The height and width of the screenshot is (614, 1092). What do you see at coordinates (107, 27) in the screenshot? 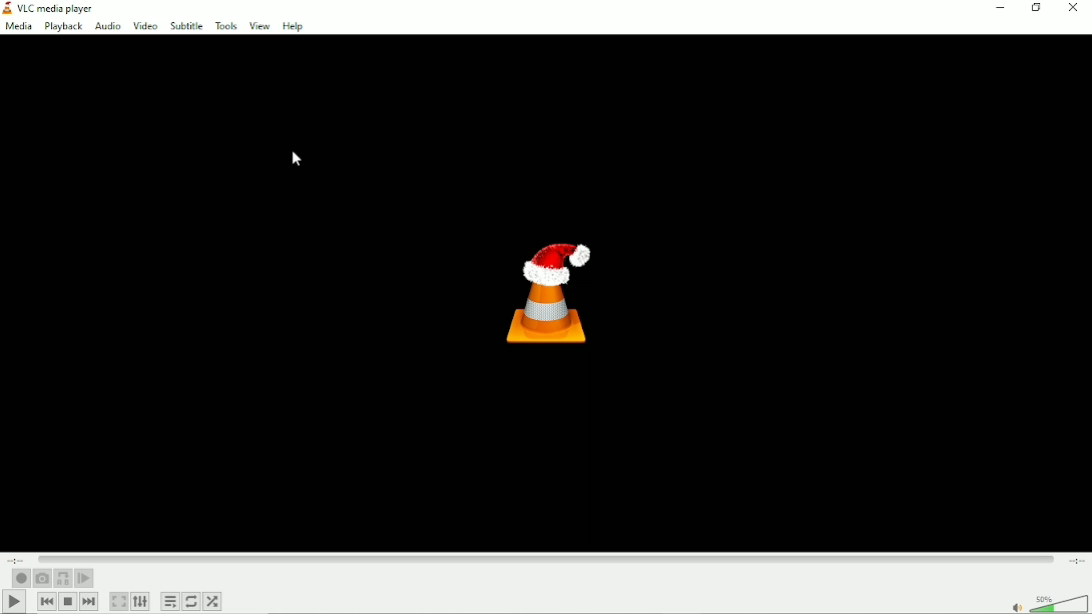
I see `Audio` at bounding box center [107, 27].